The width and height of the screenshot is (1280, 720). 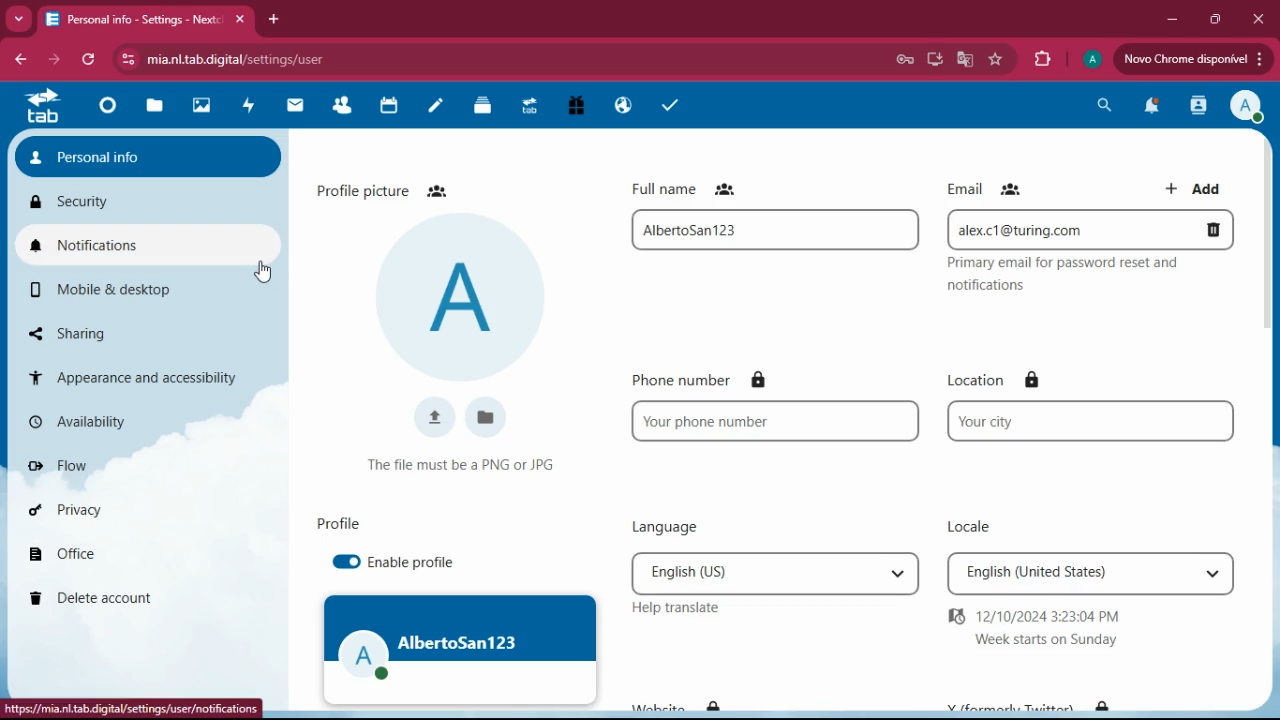 What do you see at coordinates (1090, 627) in the screenshot?
I see `time` at bounding box center [1090, 627].